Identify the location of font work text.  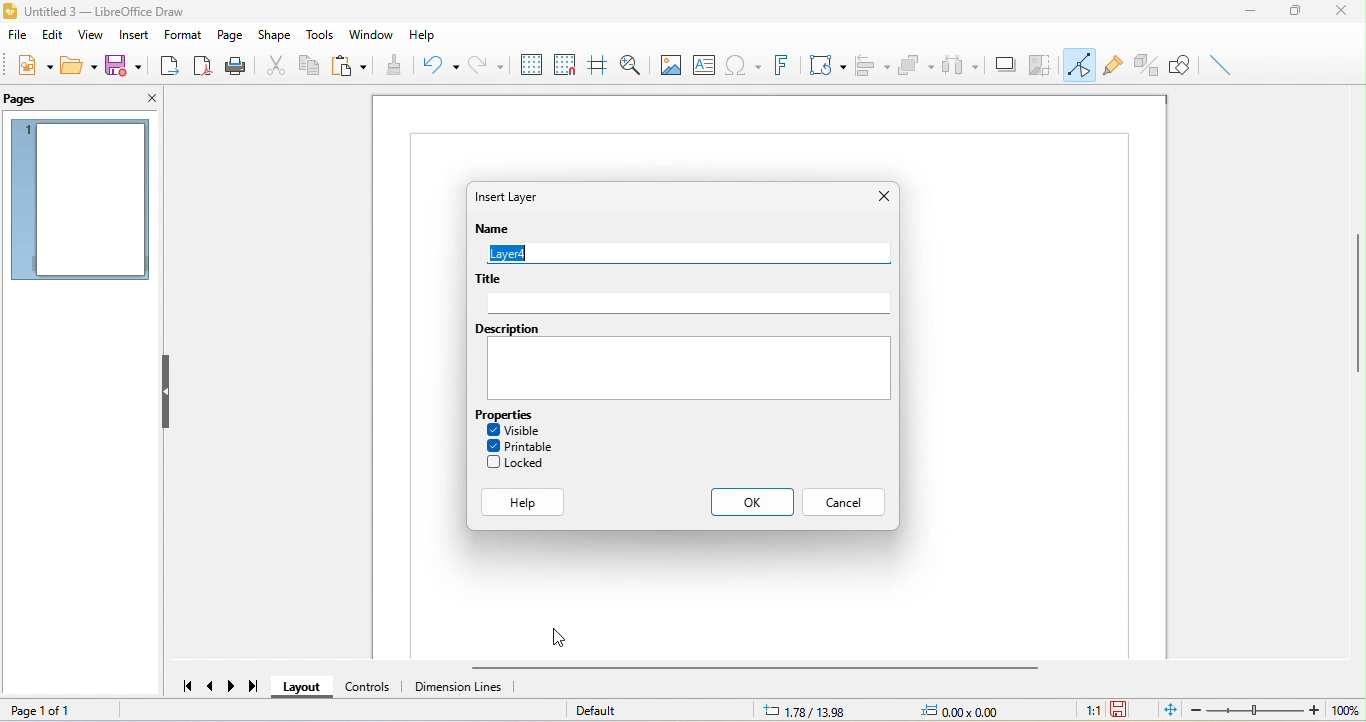
(781, 63).